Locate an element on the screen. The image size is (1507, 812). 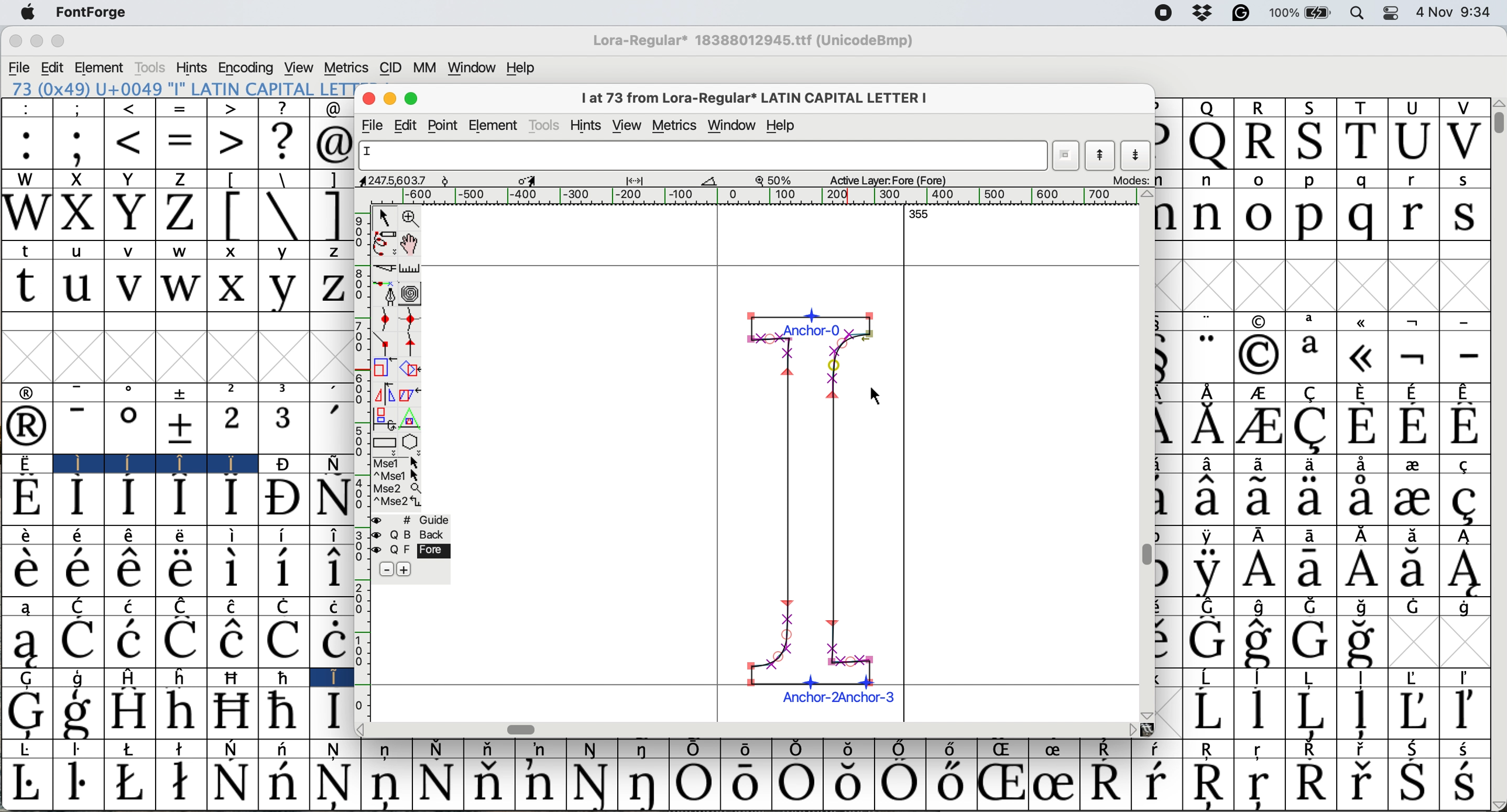
a is located at coordinates (1315, 322).